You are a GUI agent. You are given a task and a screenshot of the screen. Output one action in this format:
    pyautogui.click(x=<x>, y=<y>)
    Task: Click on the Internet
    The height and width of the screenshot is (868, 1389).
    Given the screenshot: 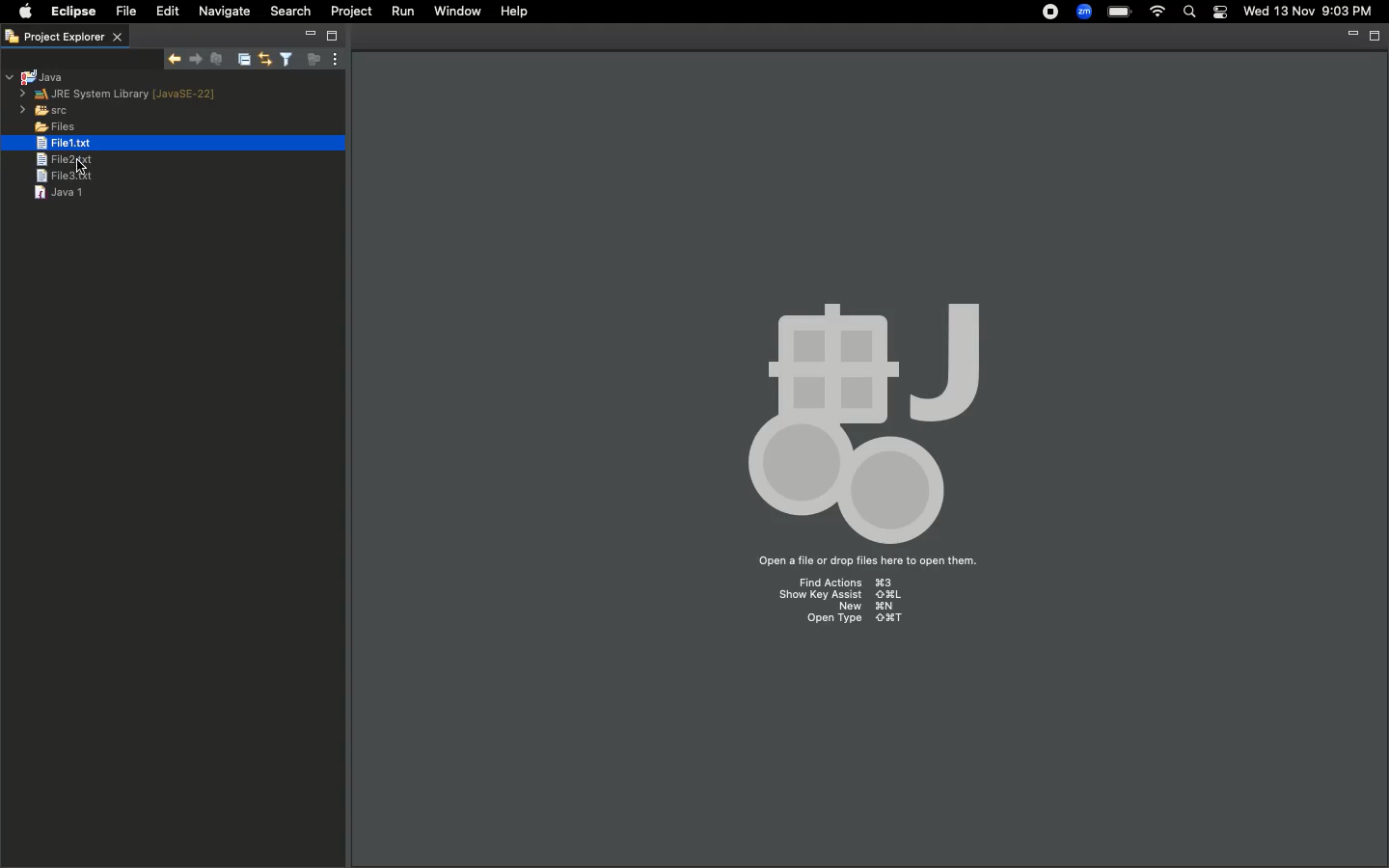 What is the action you would take?
    pyautogui.click(x=1158, y=12)
    